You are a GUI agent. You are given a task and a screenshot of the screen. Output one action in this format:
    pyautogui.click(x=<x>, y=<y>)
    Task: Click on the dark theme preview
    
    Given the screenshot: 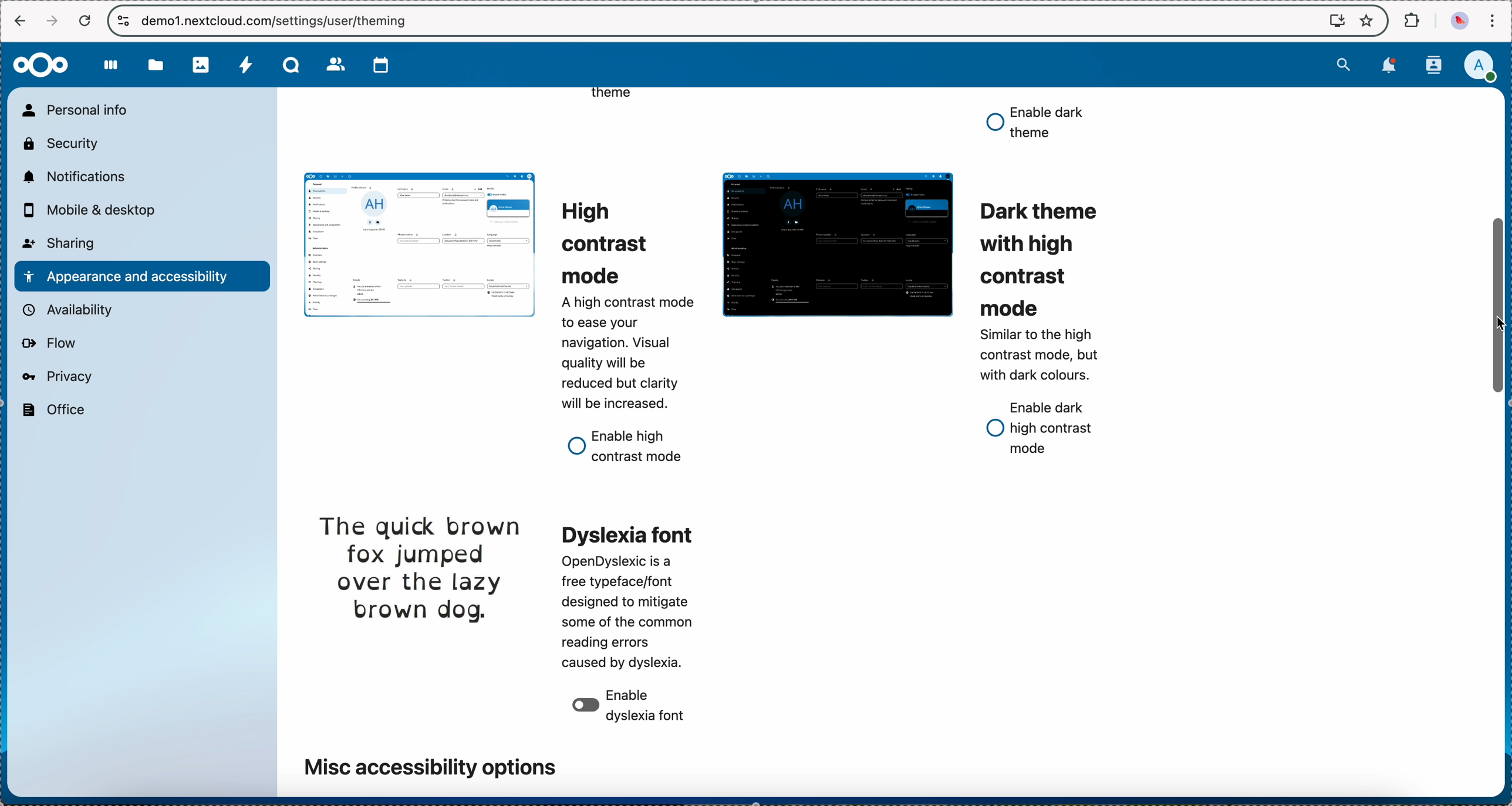 What is the action you would take?
    pyautogui.click(x=837, y=246)
    